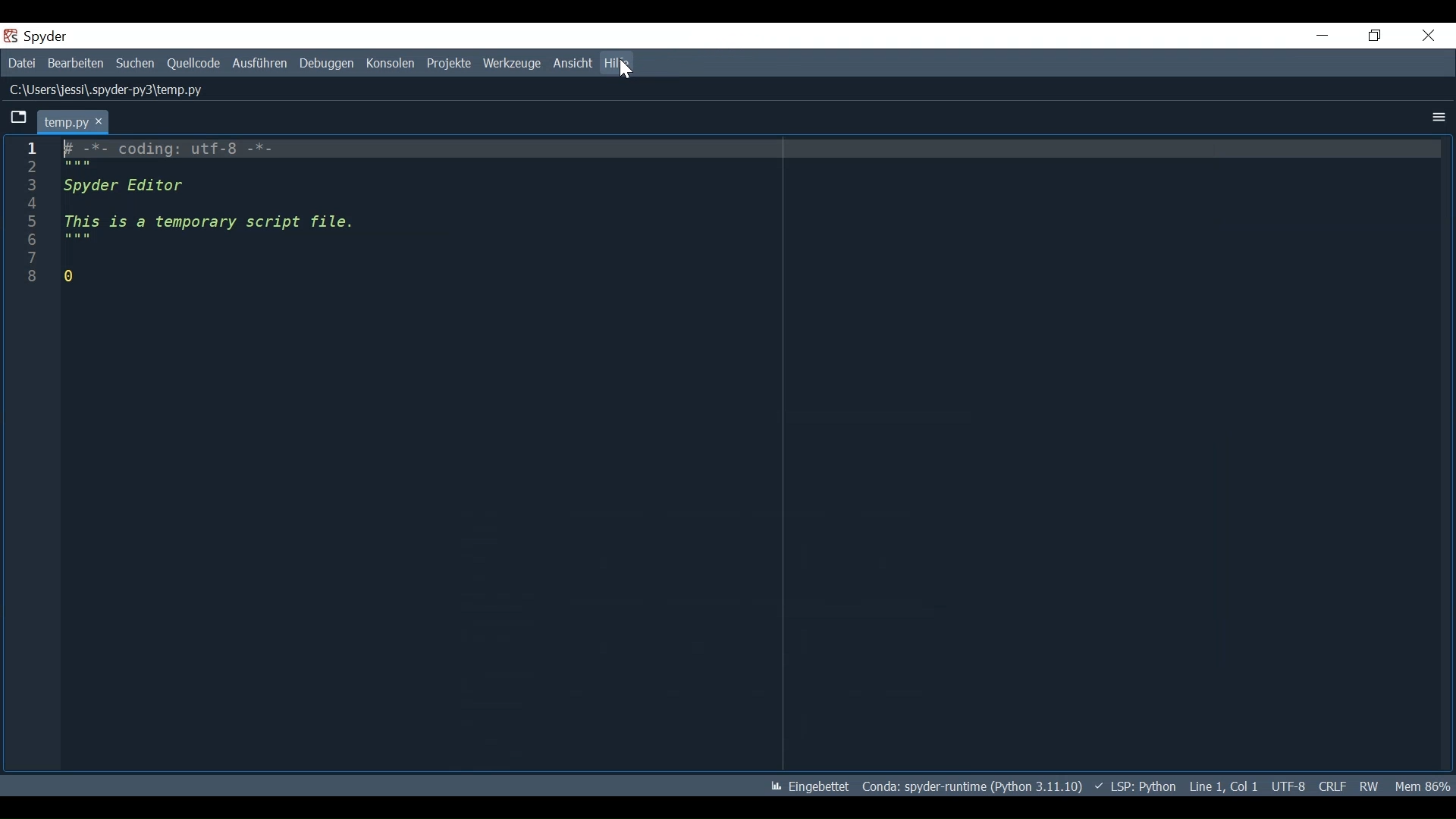 The image size is (1456, 819). What do you see at coordinates (1376, 36) in the screenshot?
I see `Restore` at bounding box center [1376, 36].